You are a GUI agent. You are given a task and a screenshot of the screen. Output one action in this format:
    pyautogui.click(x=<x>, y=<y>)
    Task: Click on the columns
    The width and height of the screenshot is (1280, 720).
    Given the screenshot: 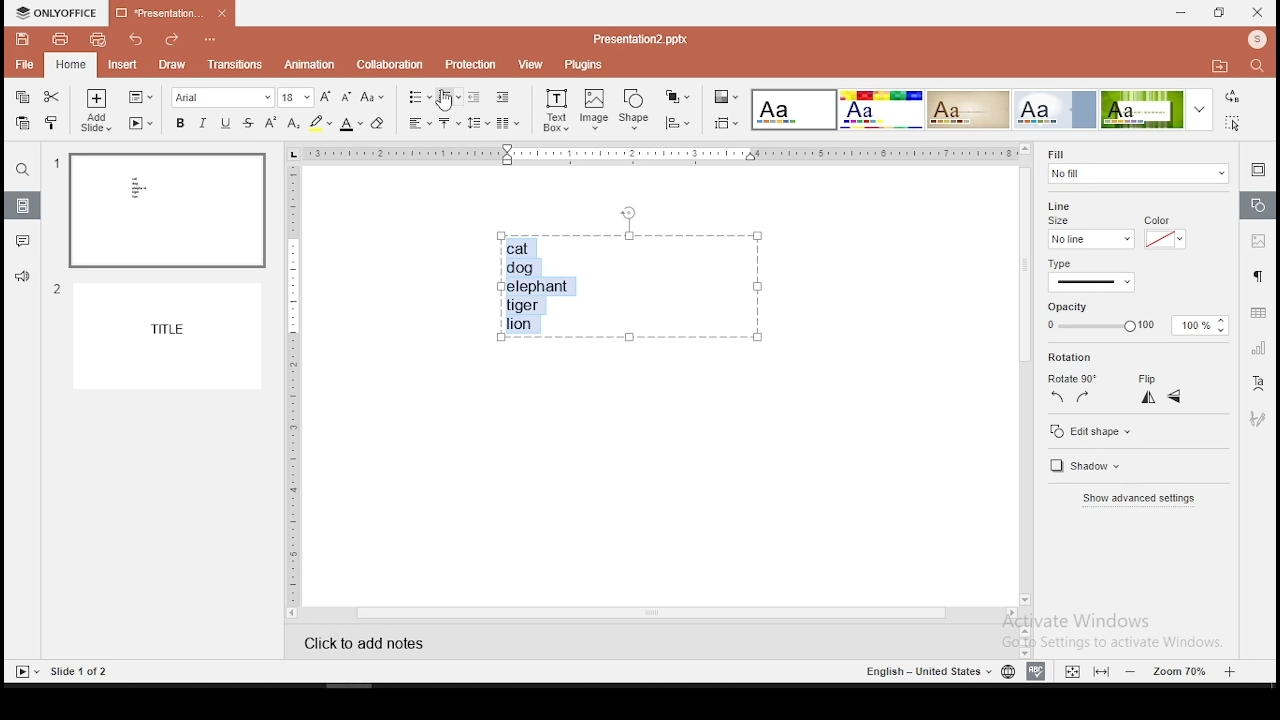 What is the action you would take?
    pyautogui.click(x=506, y=122)
    